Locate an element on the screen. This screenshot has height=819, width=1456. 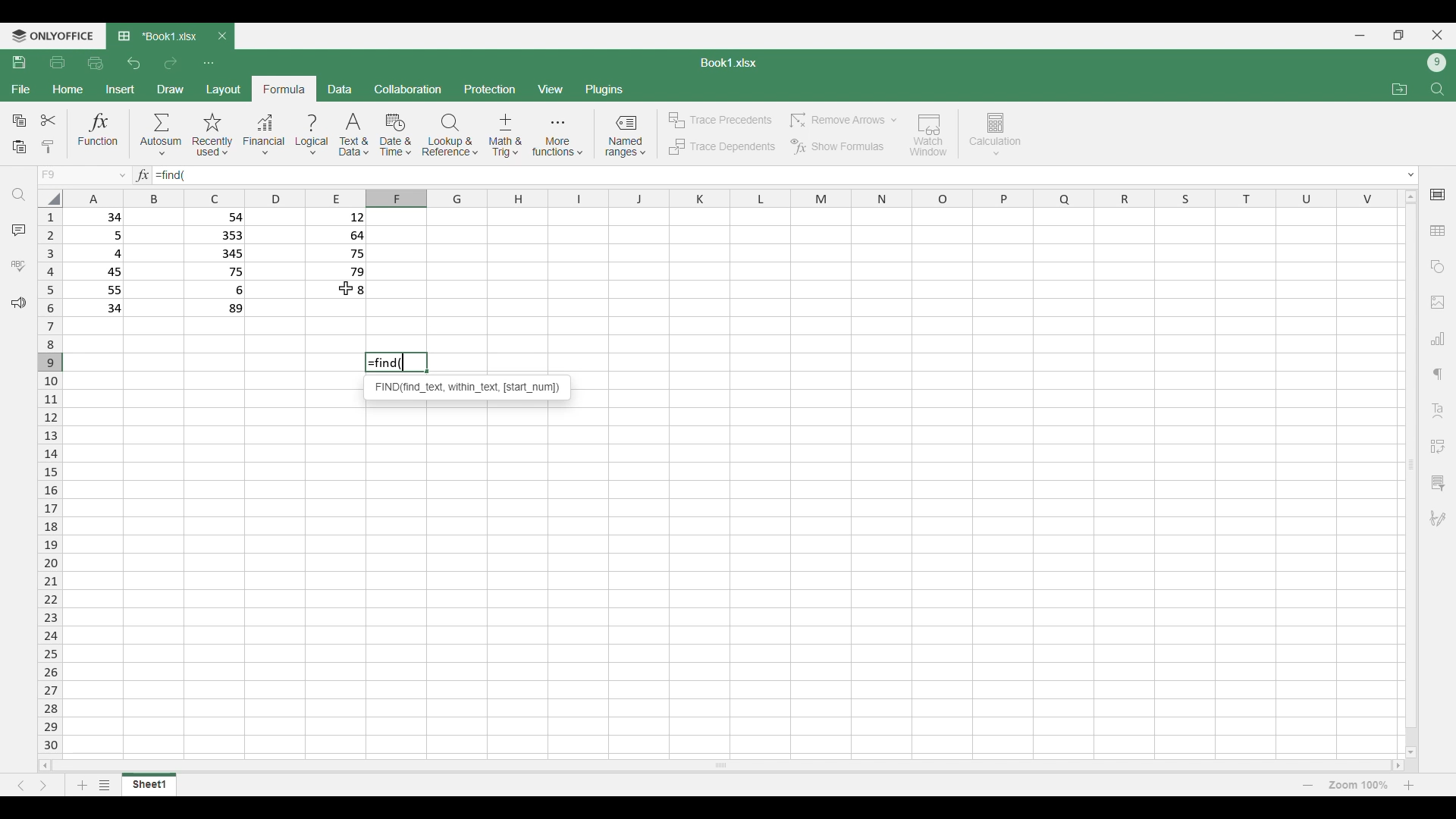
Insert chart is located at coordinates (1438, 338).